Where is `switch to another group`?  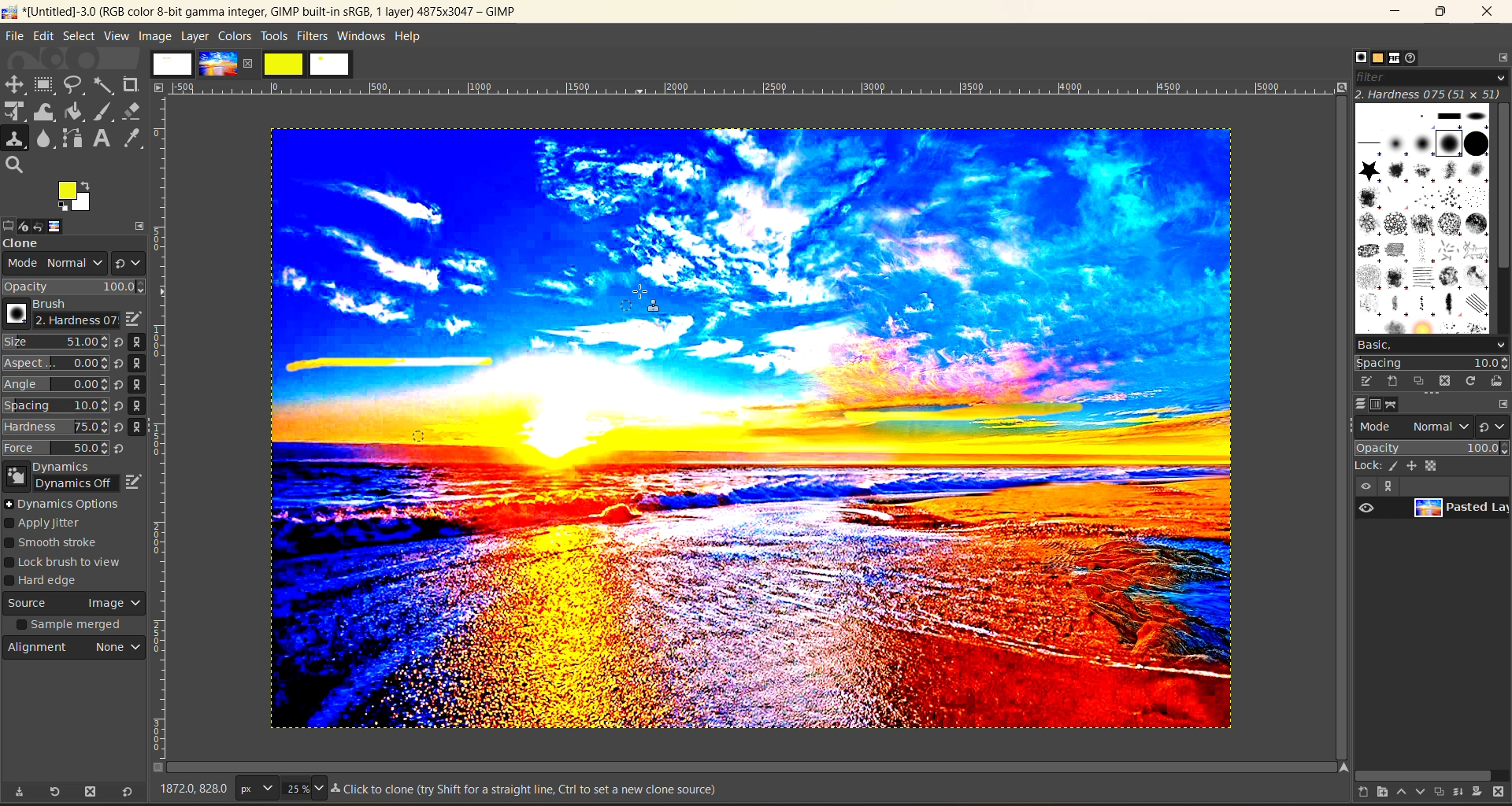 switch to another group is located at coordinates (128, 261).